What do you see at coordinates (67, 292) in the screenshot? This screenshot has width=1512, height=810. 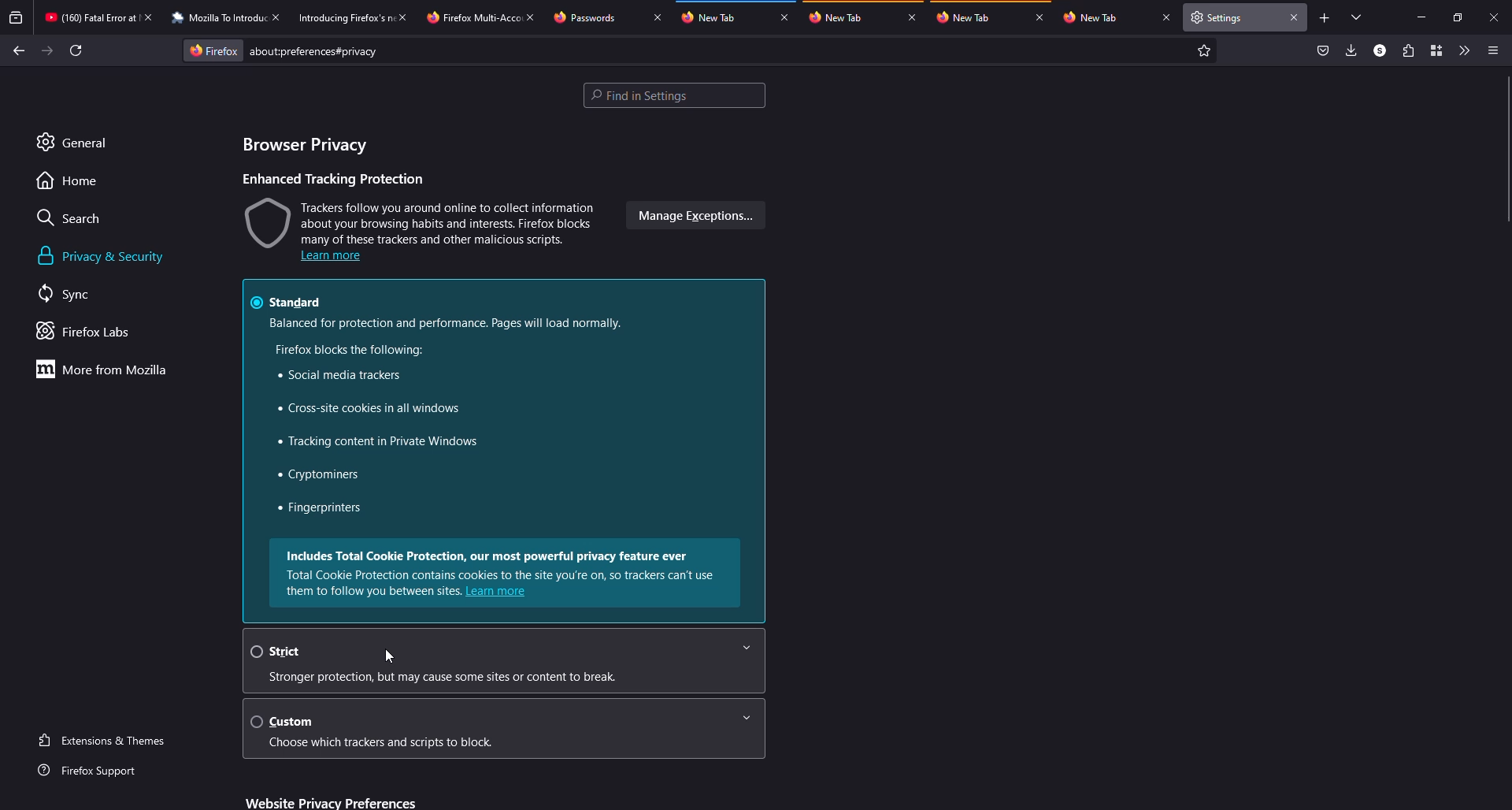 I see `sync` at bounding box center [67, 292].